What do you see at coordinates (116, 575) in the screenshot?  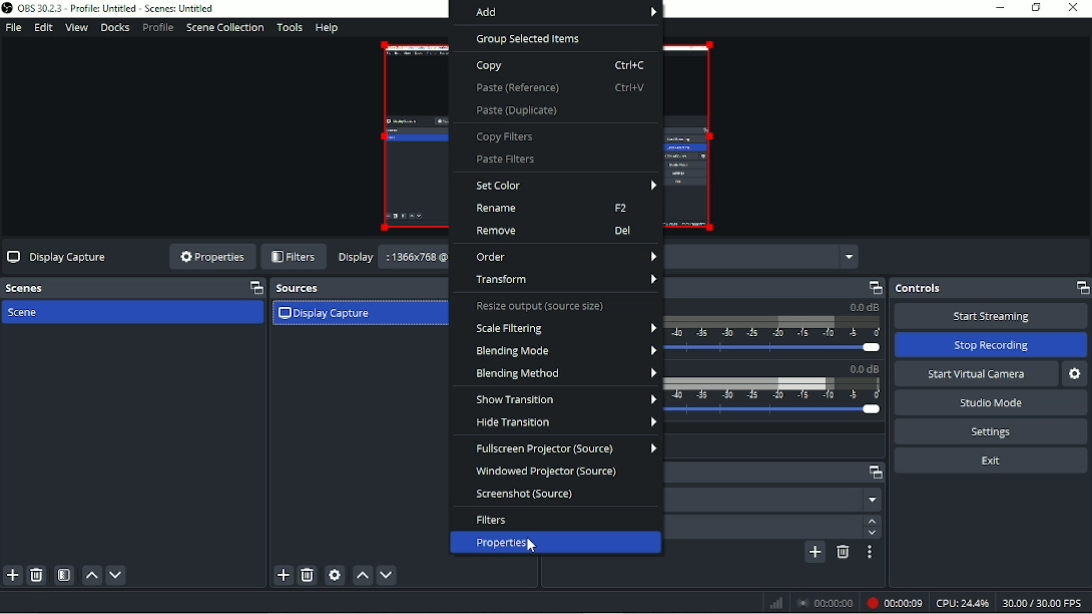 I see `Move scene down` at bounding box center [116, 575].